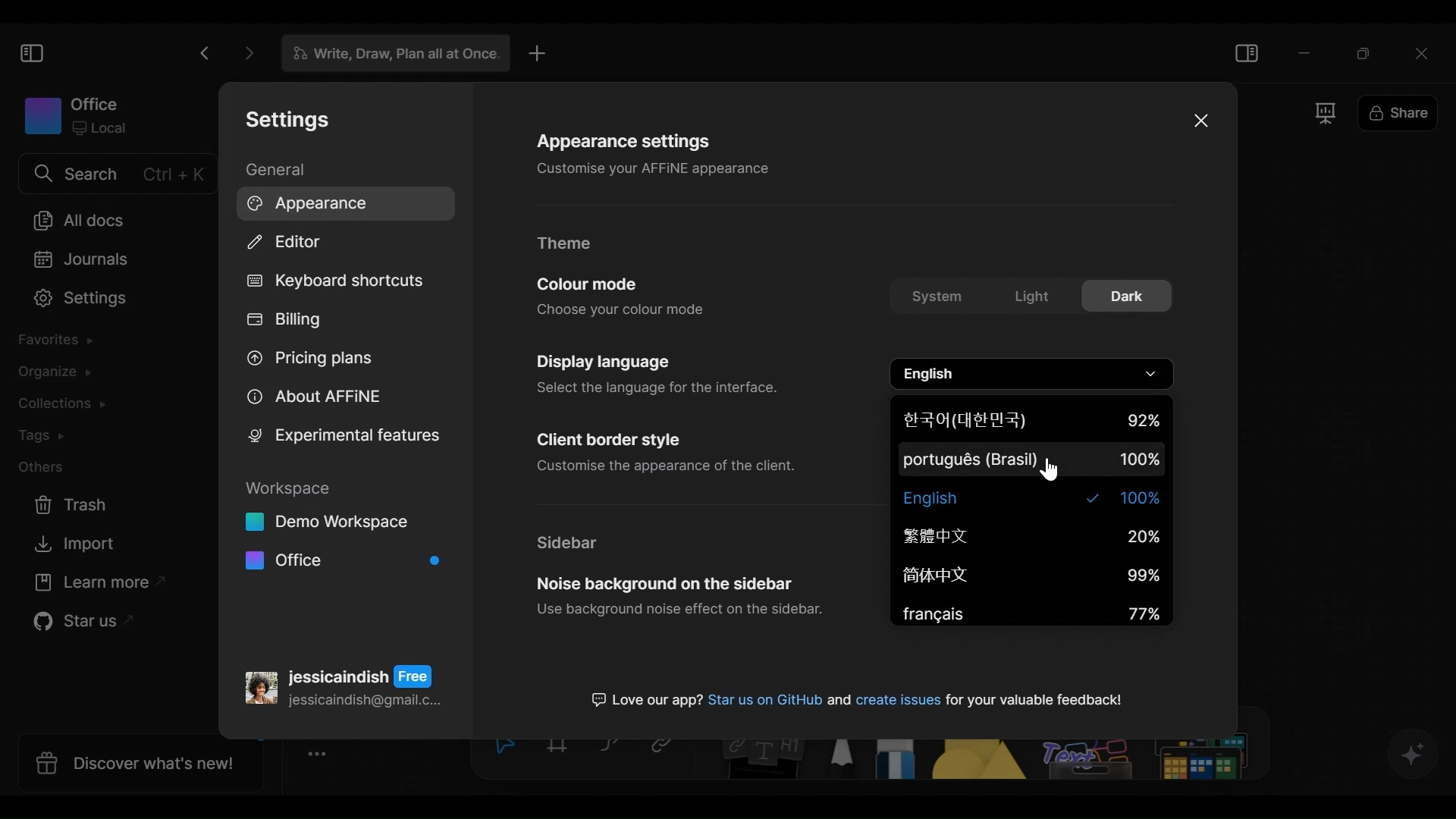 The image size is (1456, 819). What do you see at coordinates (76, 115) in the screenshot?
I see `Workspace` at bounding box center [76, 115].